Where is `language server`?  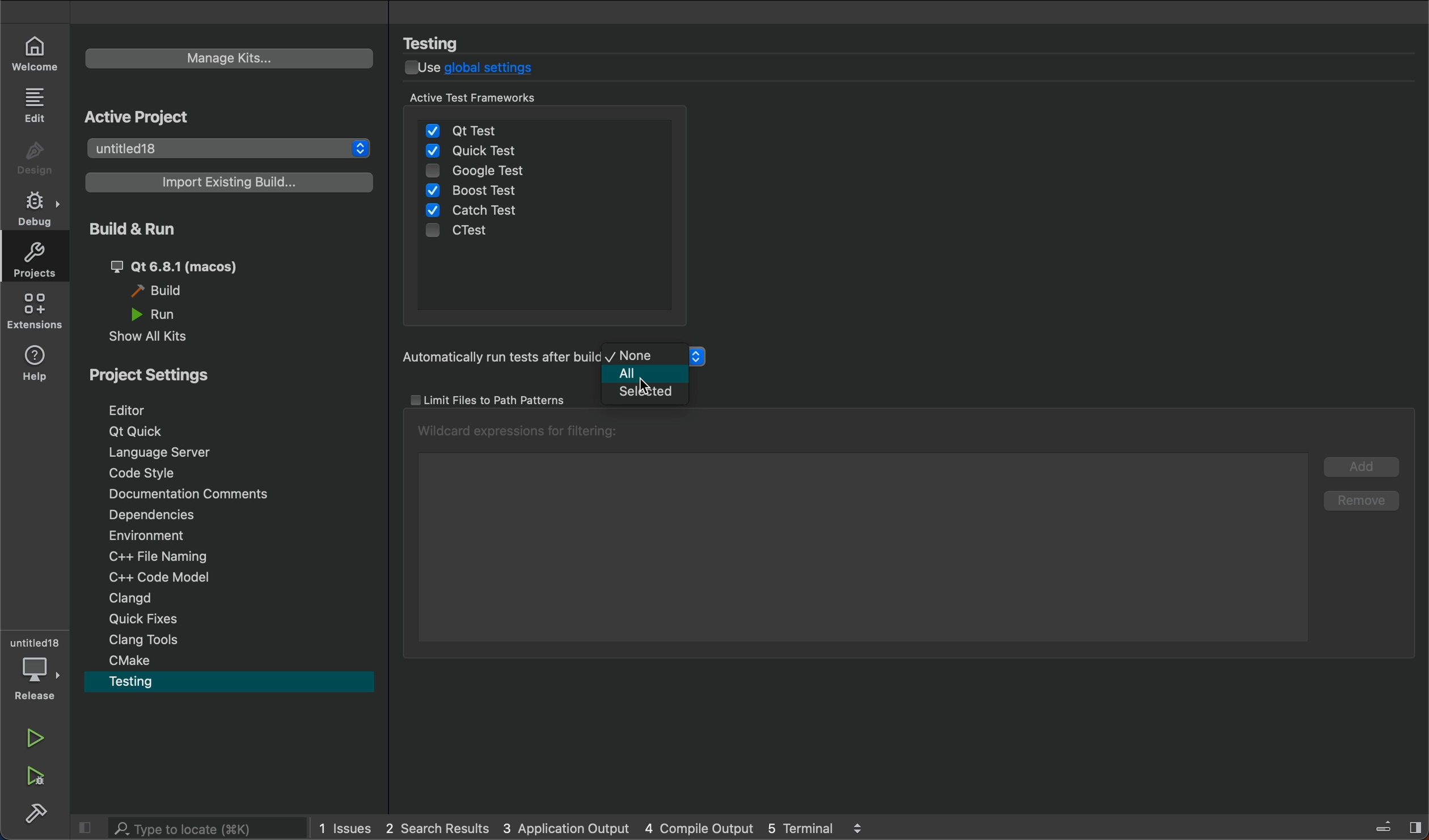
language server is located at coordinates (164, 454).